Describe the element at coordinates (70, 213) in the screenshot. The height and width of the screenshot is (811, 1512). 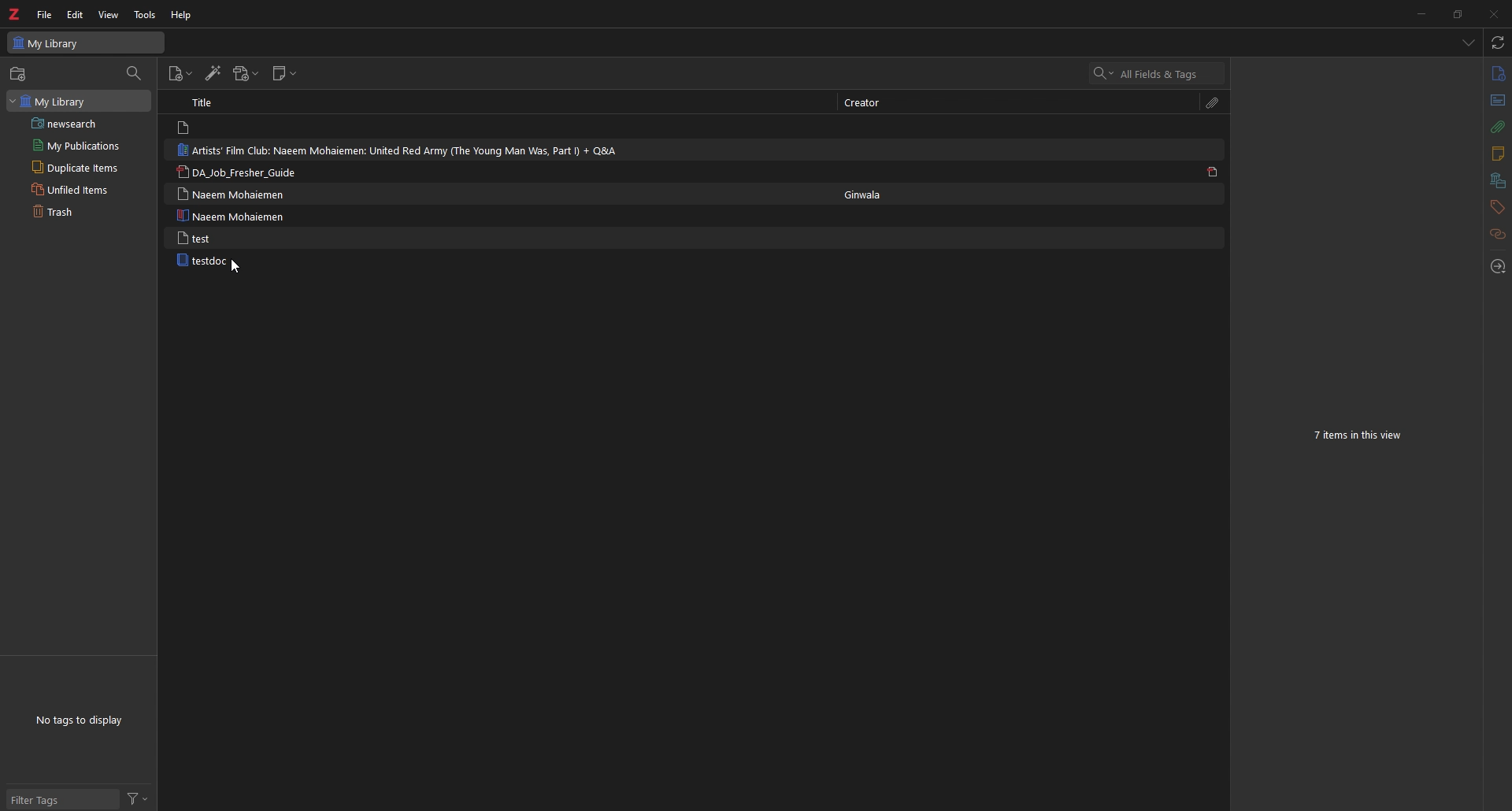
I see `trash` at that location.